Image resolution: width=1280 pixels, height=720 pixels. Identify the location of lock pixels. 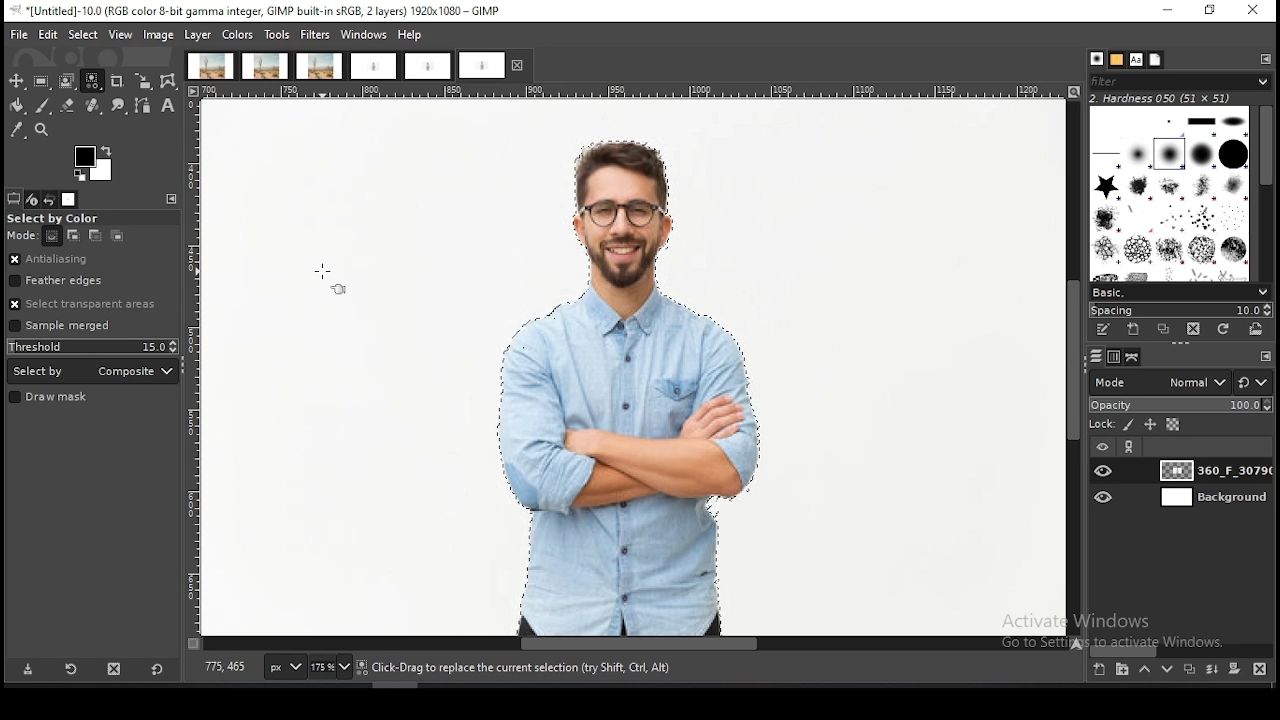
(1129, 426).